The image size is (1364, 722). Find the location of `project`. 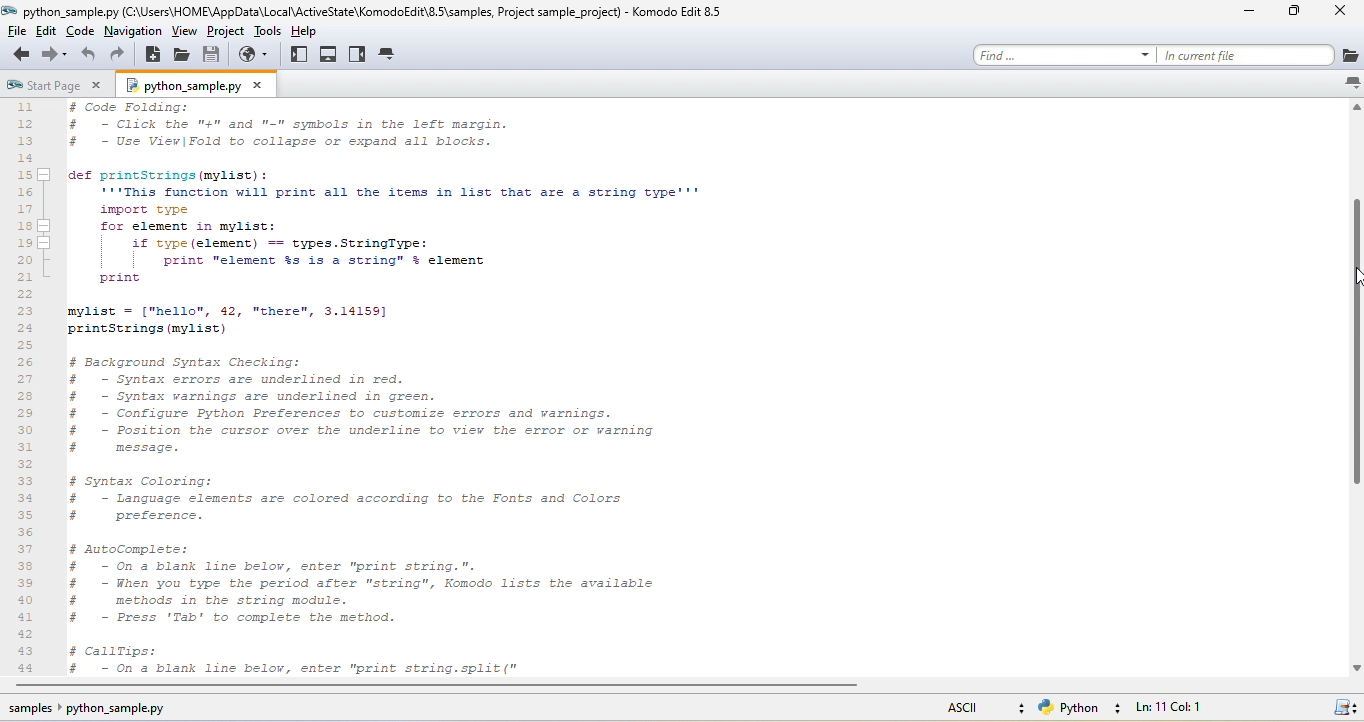

project is located at coordinates (227, 34).